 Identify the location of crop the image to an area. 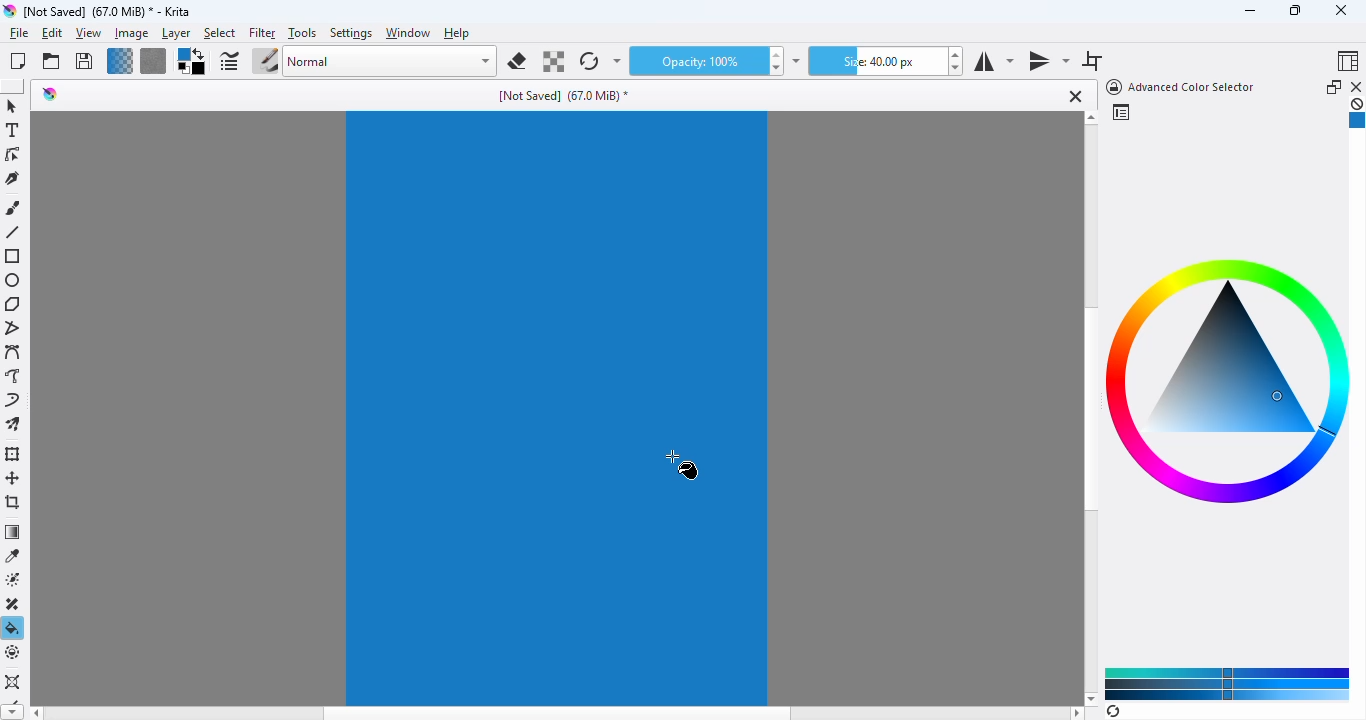
(14, 501).